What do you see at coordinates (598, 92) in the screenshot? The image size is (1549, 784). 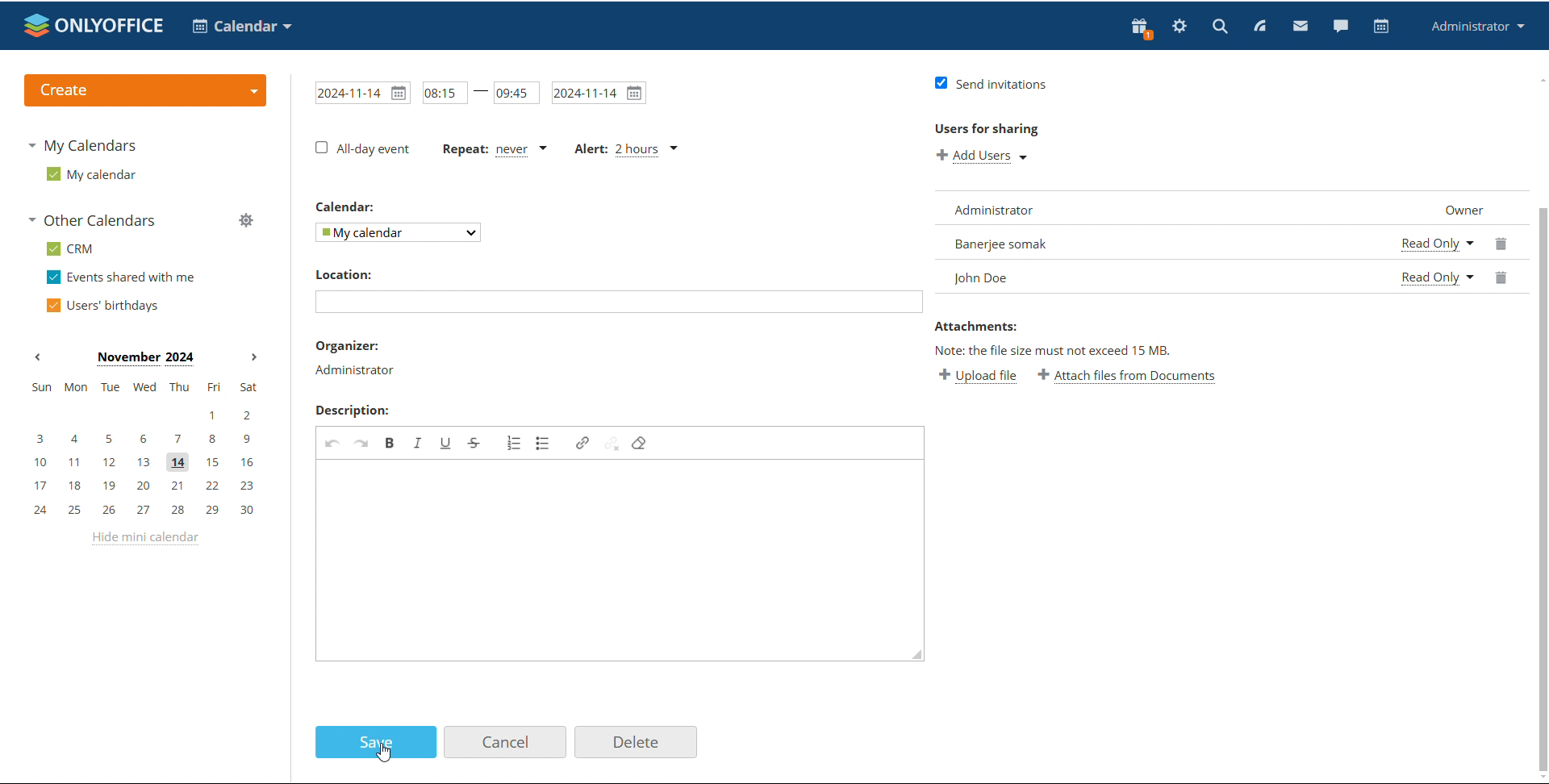 I see `set end date` at bounding box center [598, 92].